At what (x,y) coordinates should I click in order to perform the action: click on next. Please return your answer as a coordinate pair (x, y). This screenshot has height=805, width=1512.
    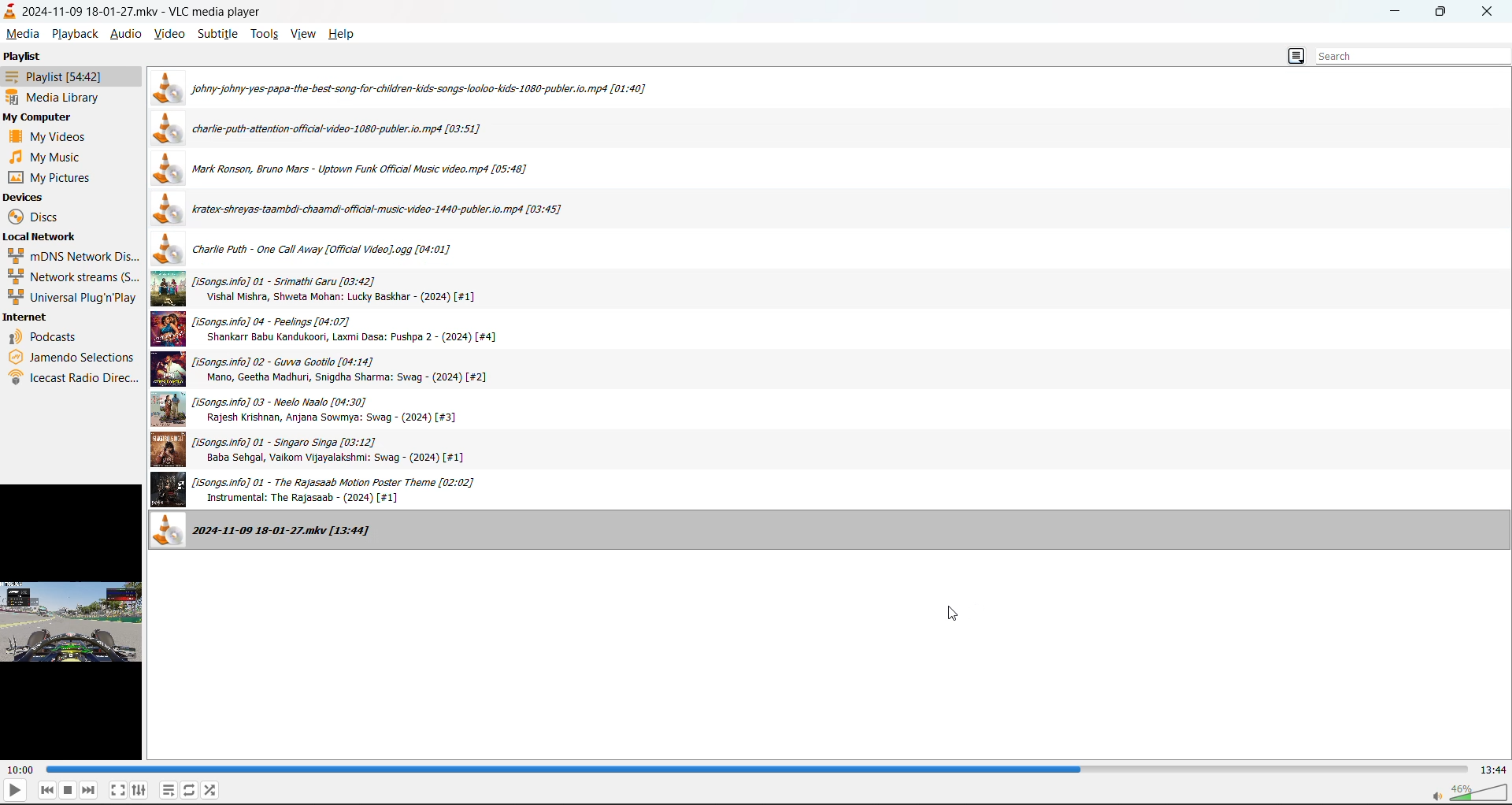
    Looking at the image, I should click on (88, 790).